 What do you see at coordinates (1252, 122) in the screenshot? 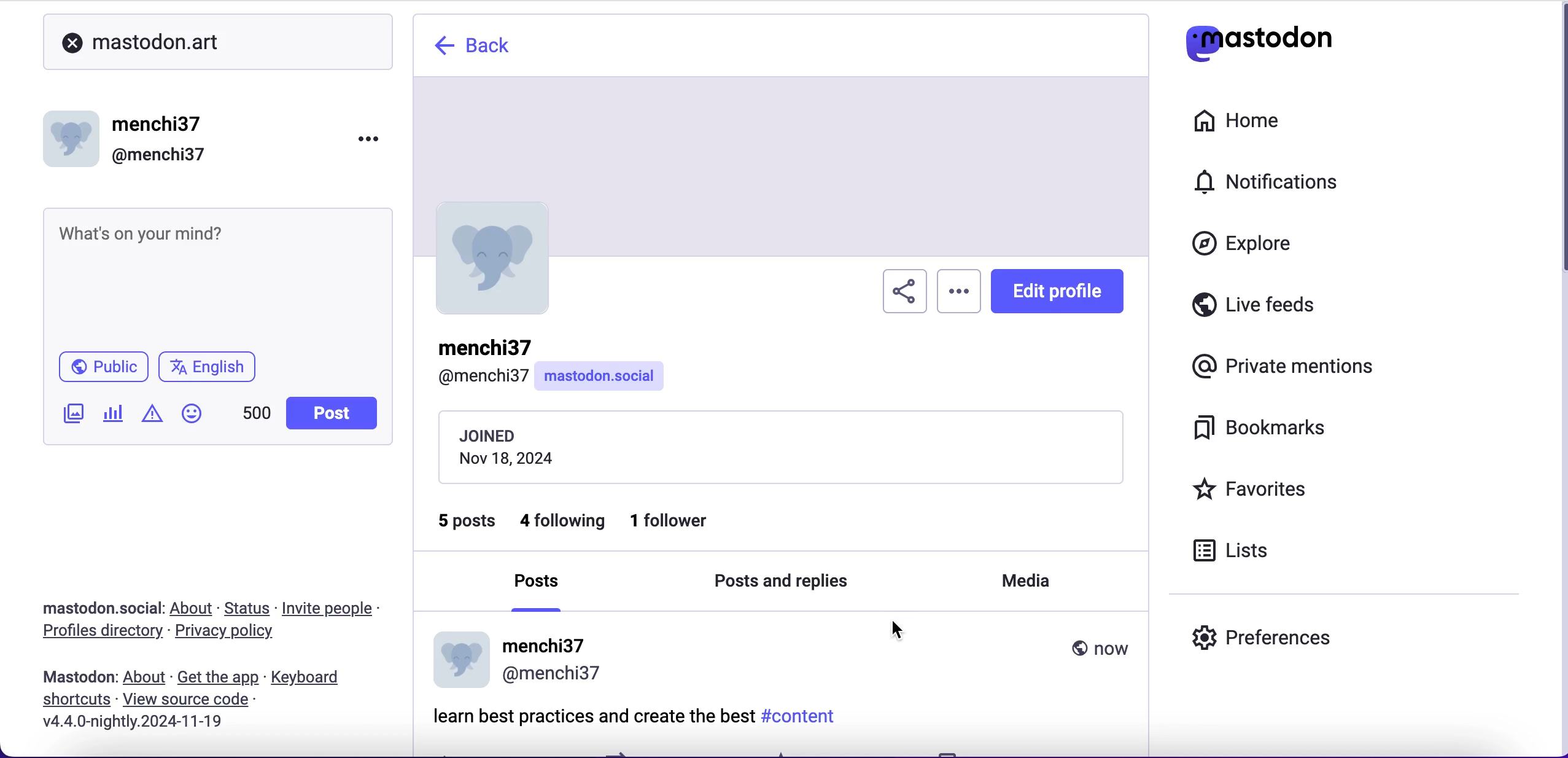
I see `home` at bounding box center [1252, 122].